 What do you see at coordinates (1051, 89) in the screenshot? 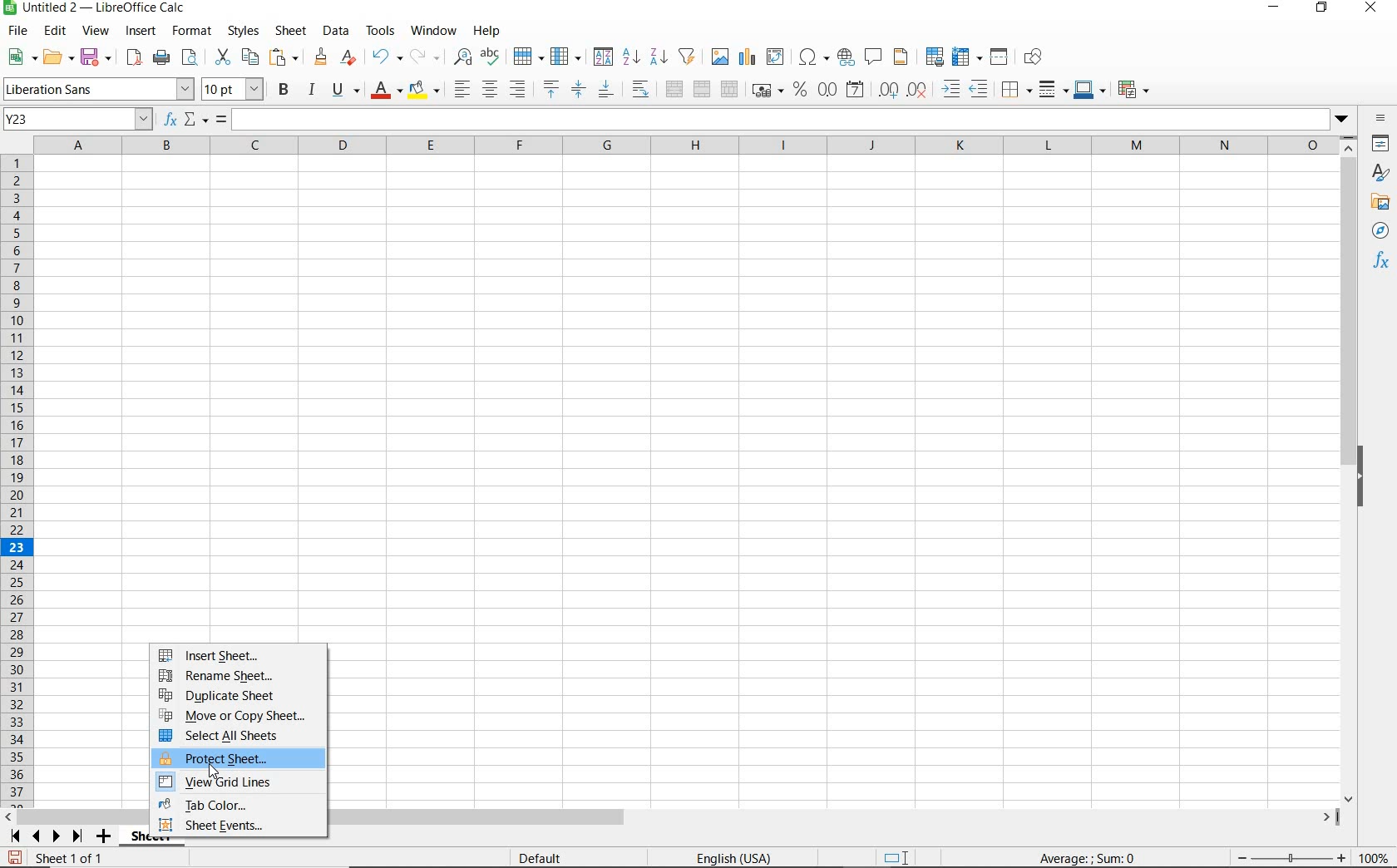
I see `BORDER STYLE` at bounding box center [1051, 89].